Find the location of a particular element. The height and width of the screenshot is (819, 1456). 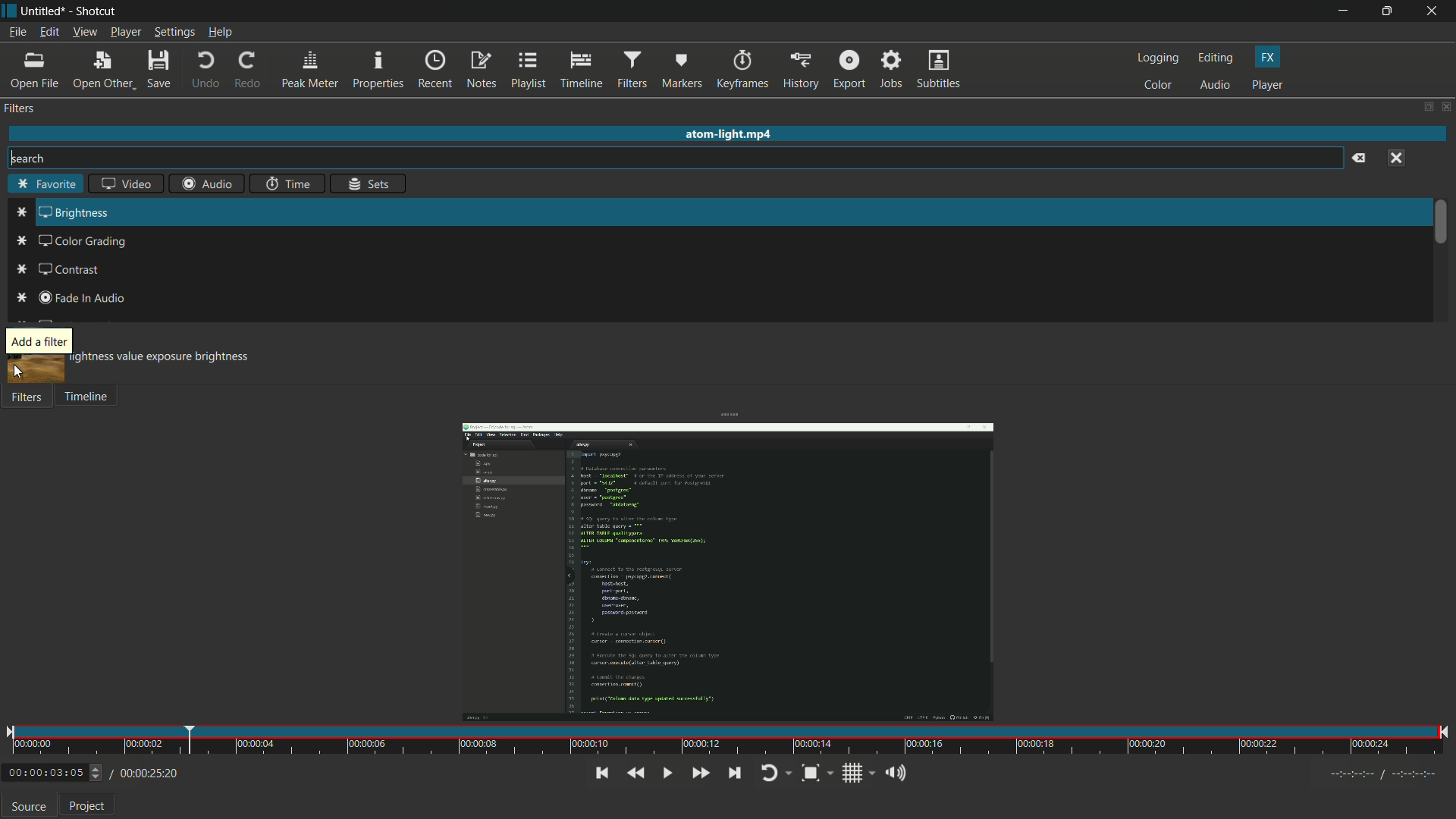

subtitles is located at coordinates (938, 69).